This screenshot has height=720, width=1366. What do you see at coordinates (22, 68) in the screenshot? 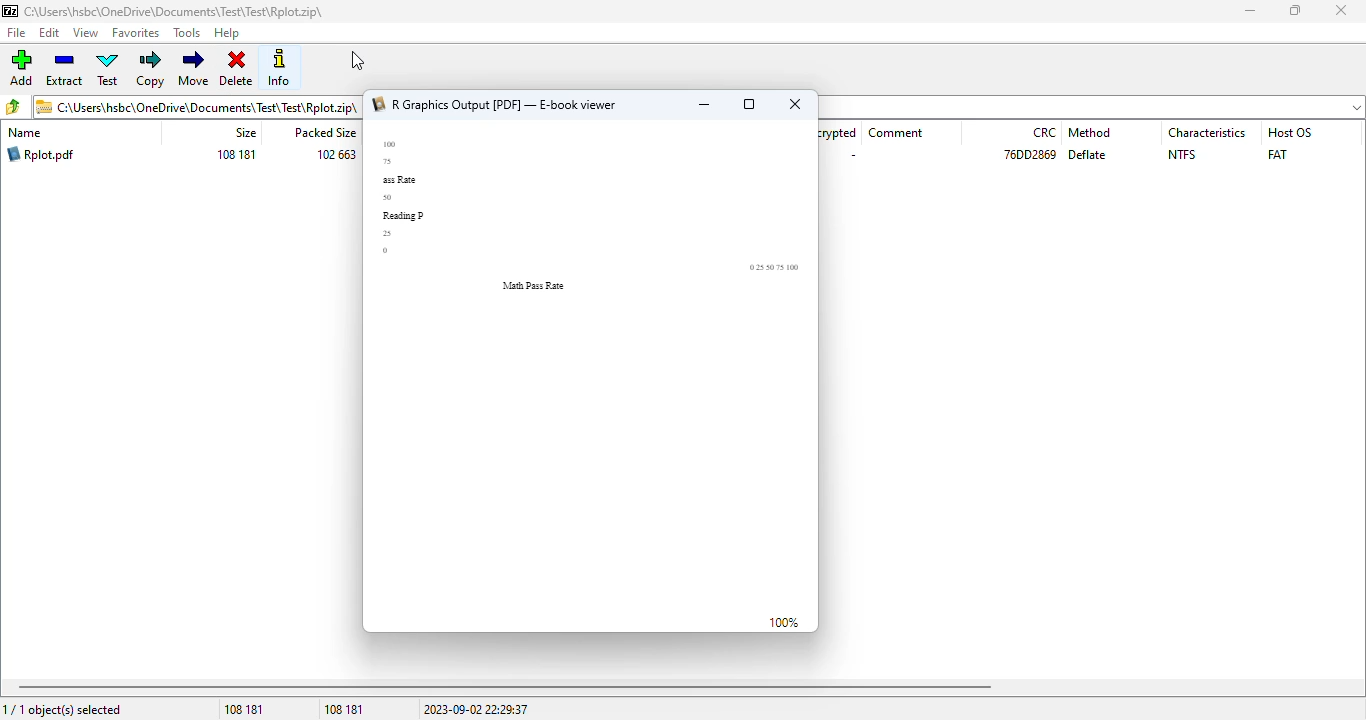
I see `add` at bounding box center [22, 68].